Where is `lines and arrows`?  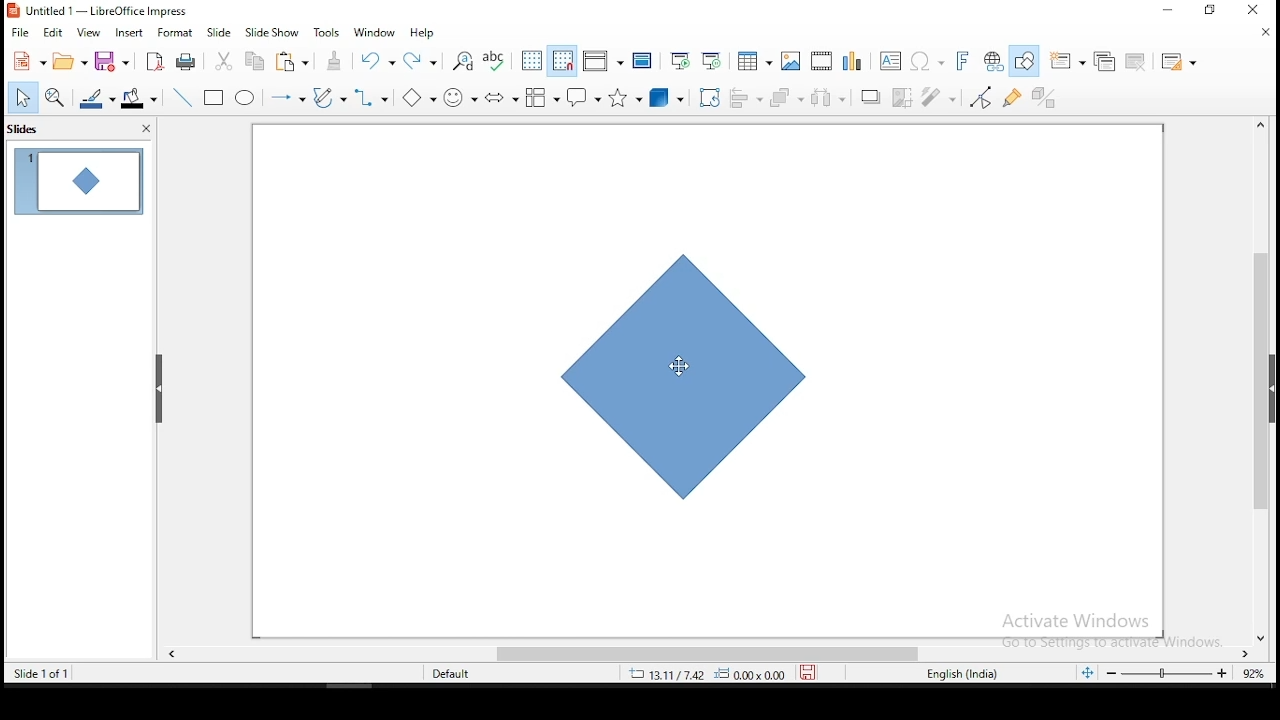
lines and arrows is located at coordinates (291, 100).